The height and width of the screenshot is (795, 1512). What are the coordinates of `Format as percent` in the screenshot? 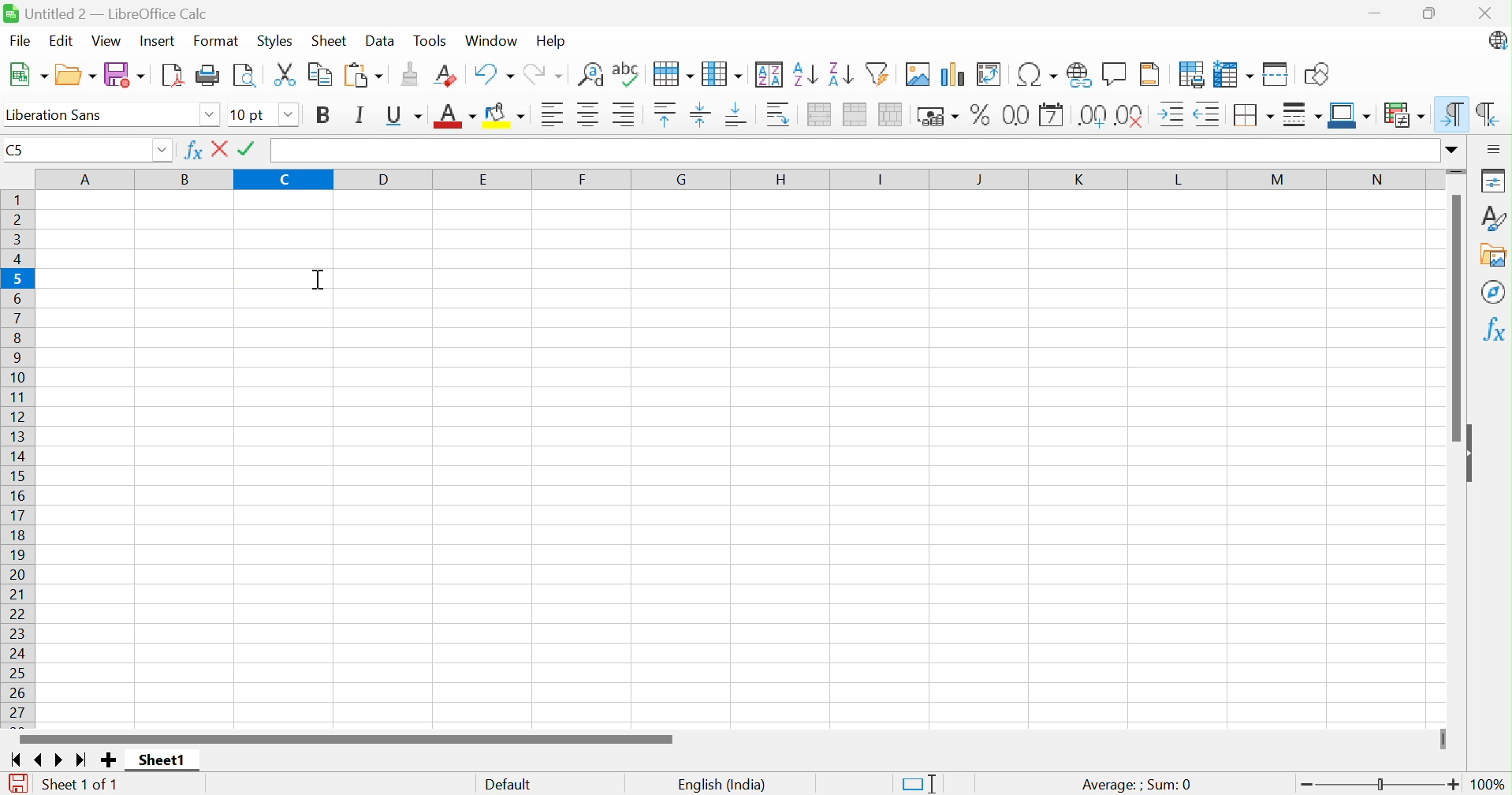 It's located at (982, 114).